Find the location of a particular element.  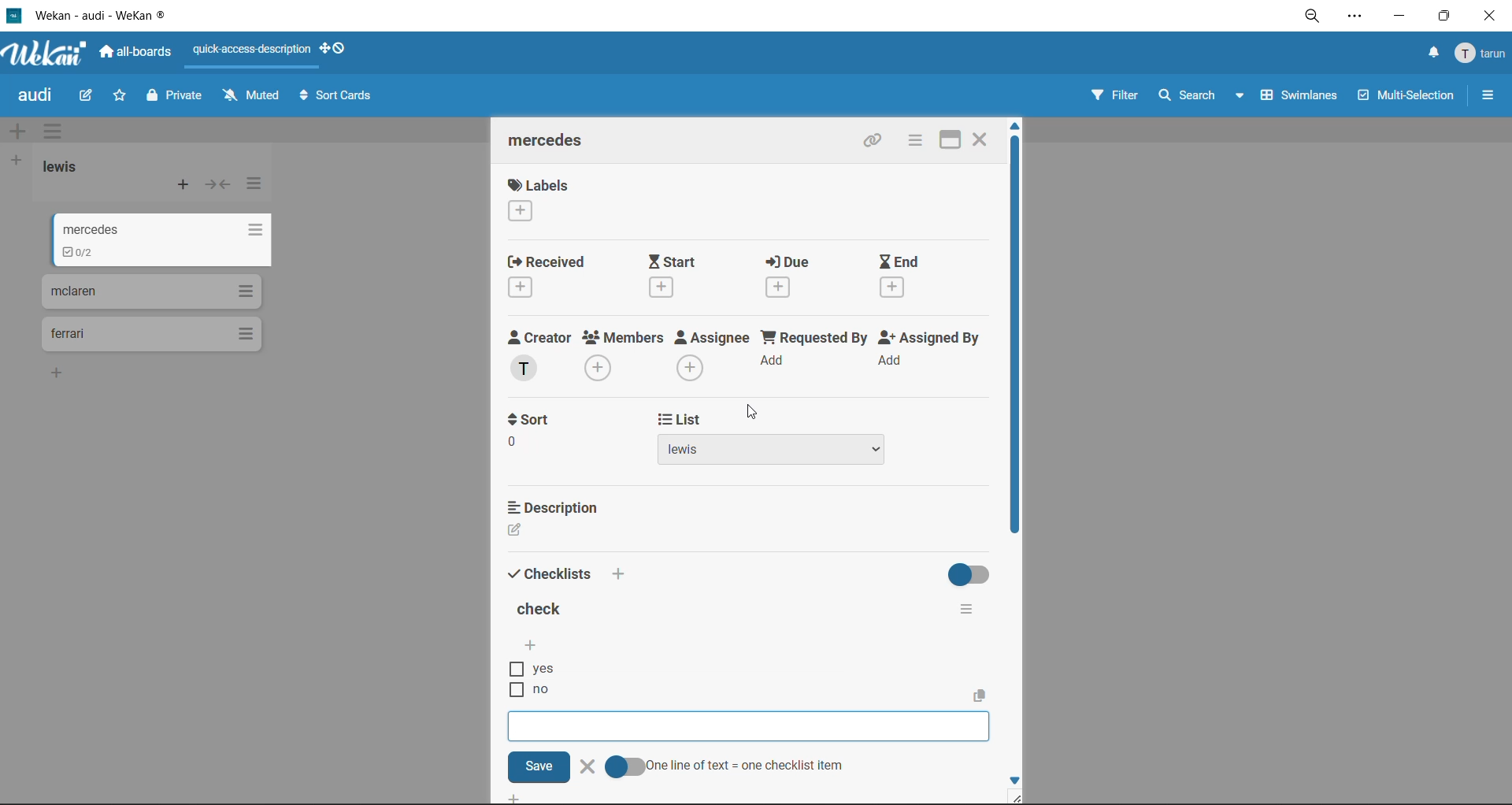

list is located at coordinates (797, 453).